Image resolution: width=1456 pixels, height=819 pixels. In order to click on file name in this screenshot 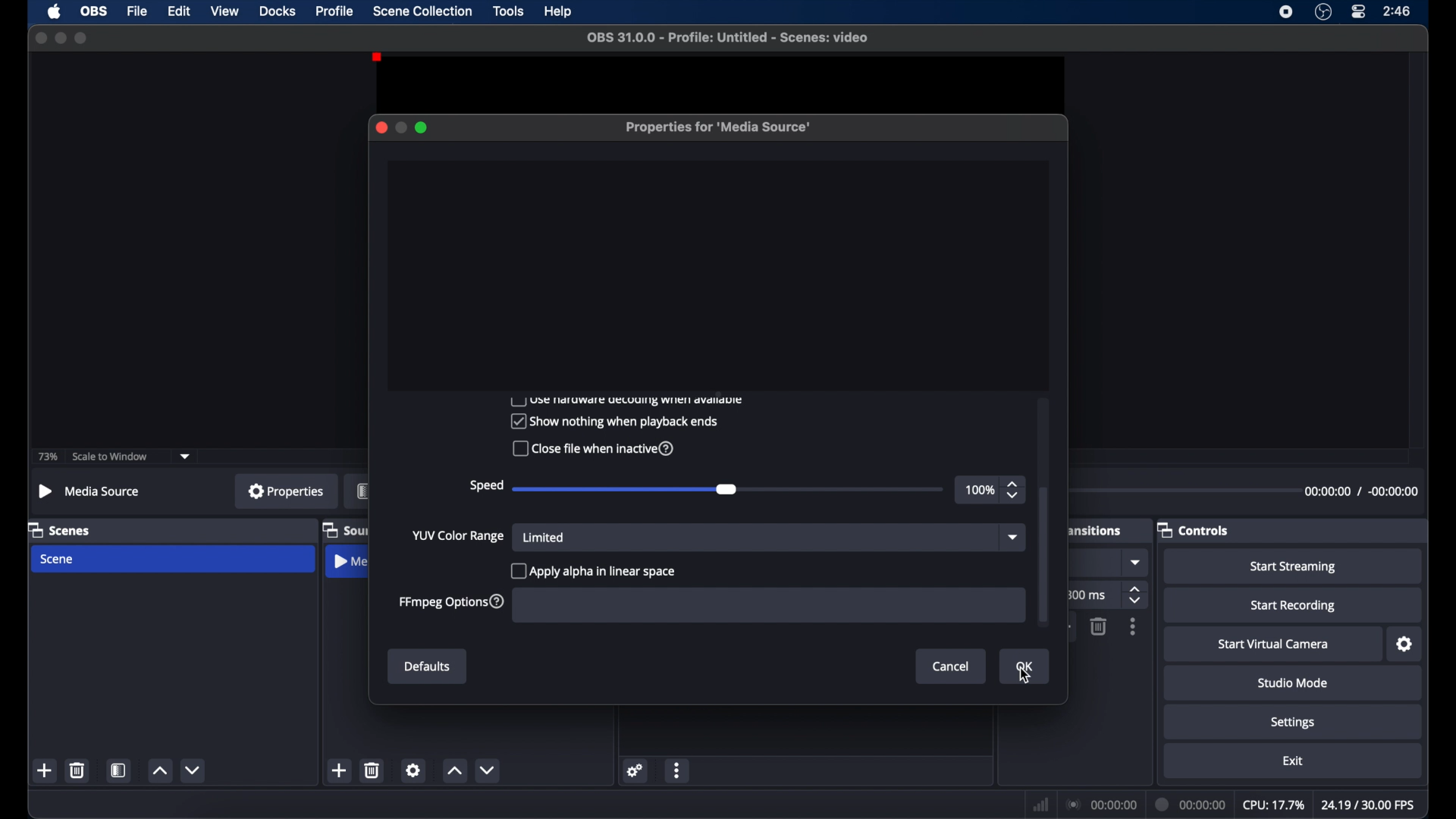, I will do `click(727, 37)`.